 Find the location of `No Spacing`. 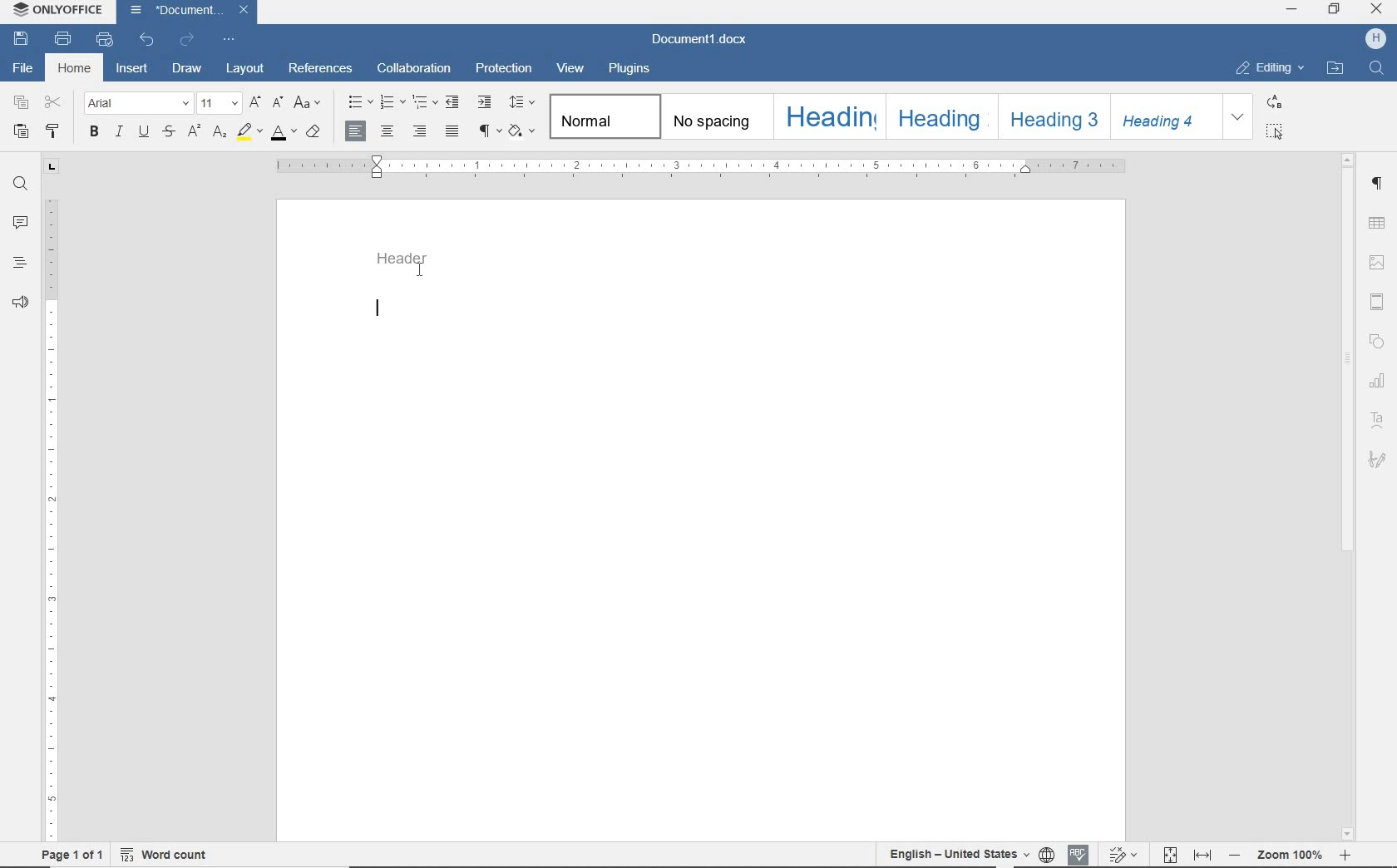

No Spacing is located at coordinates (714, 118).